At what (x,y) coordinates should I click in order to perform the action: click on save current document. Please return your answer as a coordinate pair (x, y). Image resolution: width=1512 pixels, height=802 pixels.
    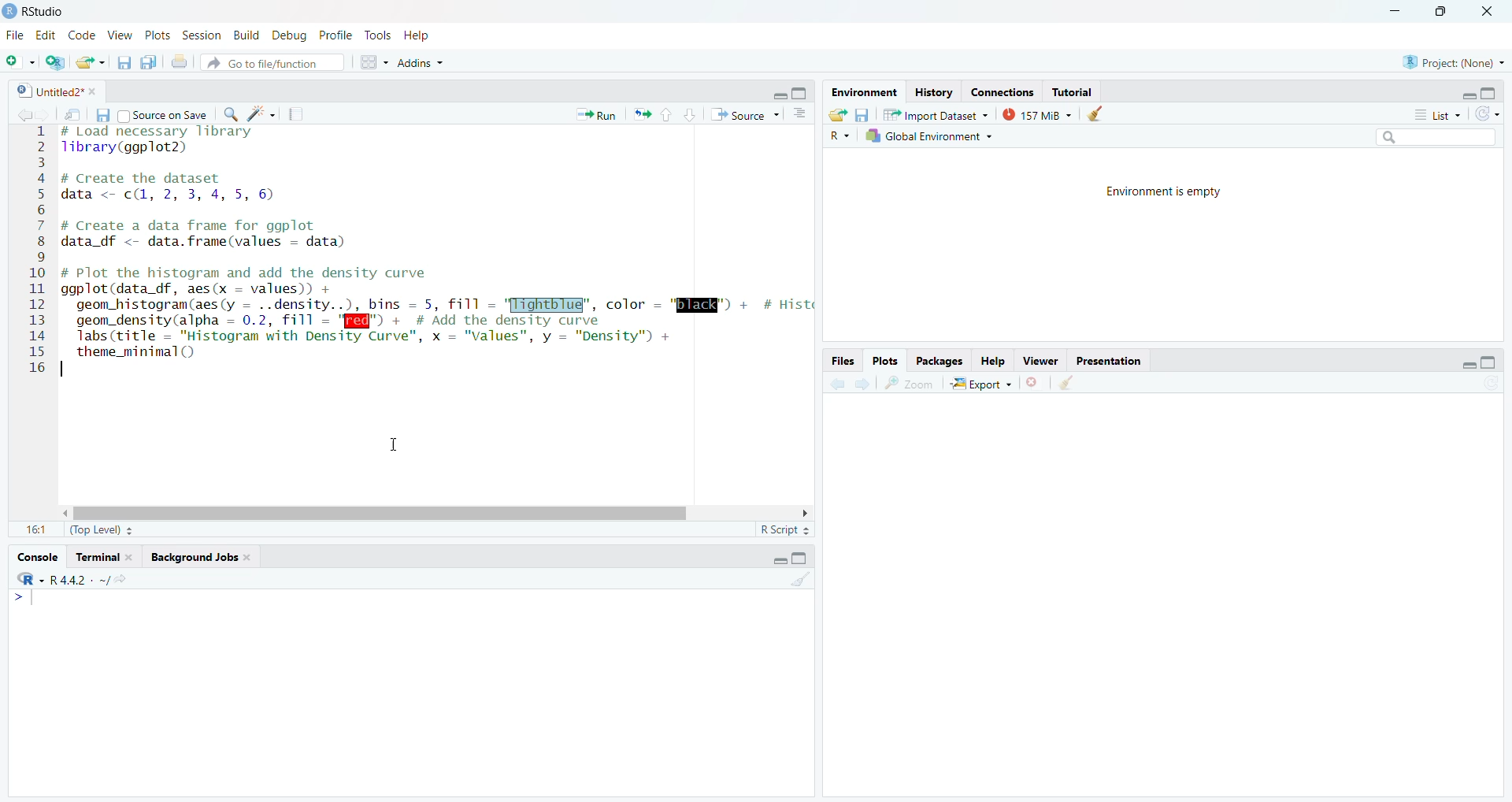
    Looking at the image, I should click on (124, 63).